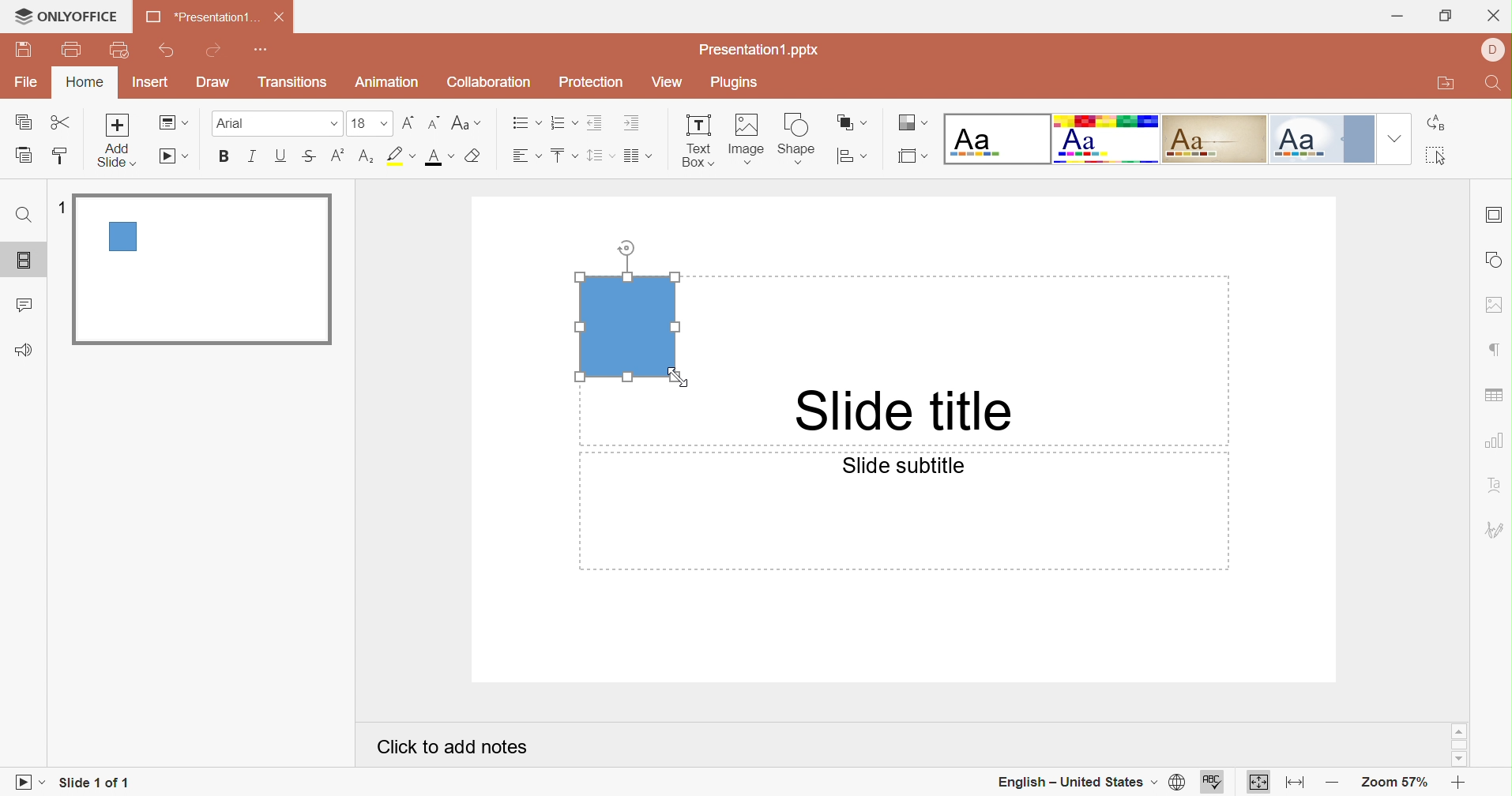 The image size is (1512, 796). What do you see at coordinates (1322, 139) in the screenshot?
I see `Official` at bounding box center [1322, 139].